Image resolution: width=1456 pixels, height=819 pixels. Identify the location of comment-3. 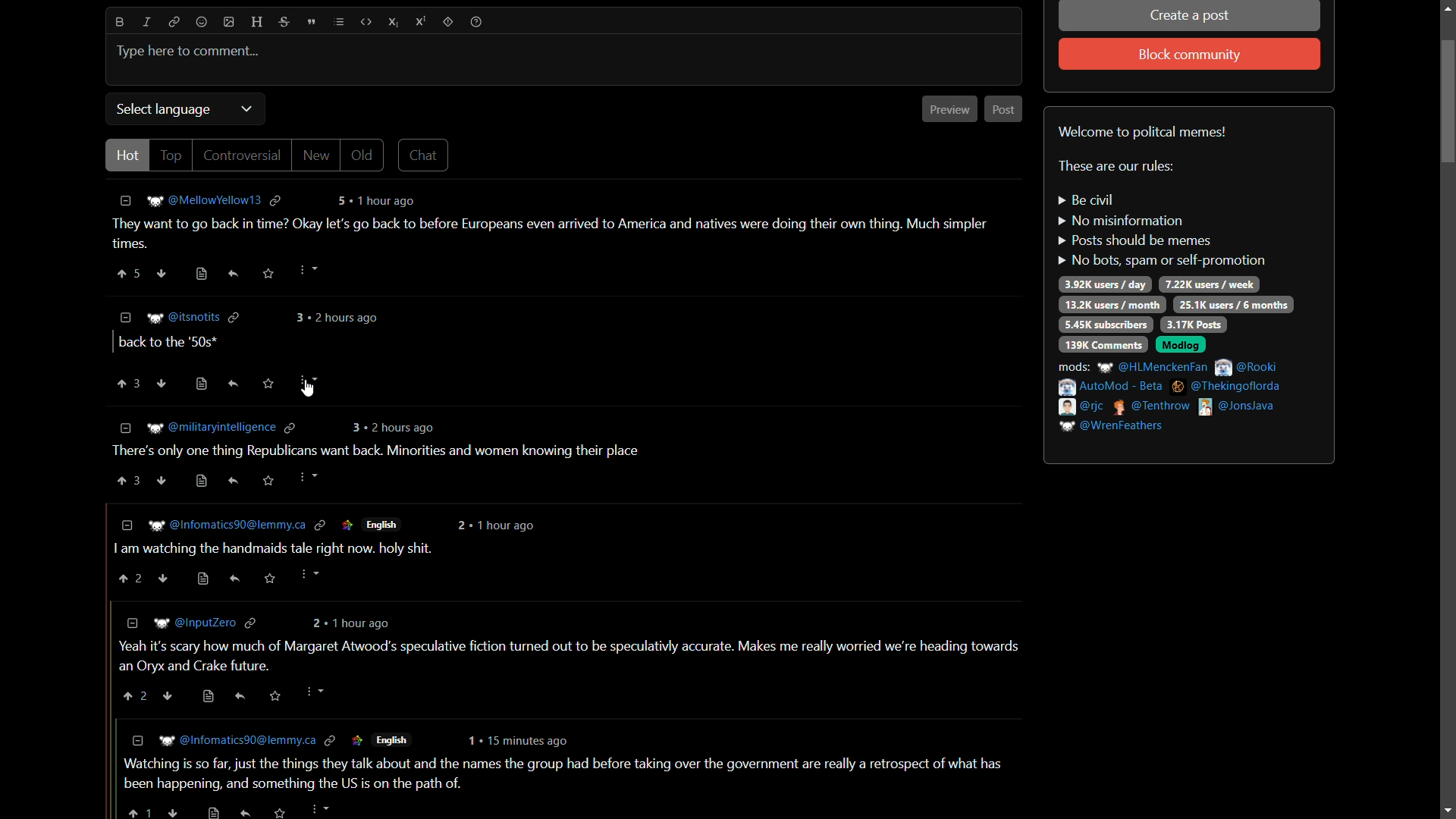
(370, 458).